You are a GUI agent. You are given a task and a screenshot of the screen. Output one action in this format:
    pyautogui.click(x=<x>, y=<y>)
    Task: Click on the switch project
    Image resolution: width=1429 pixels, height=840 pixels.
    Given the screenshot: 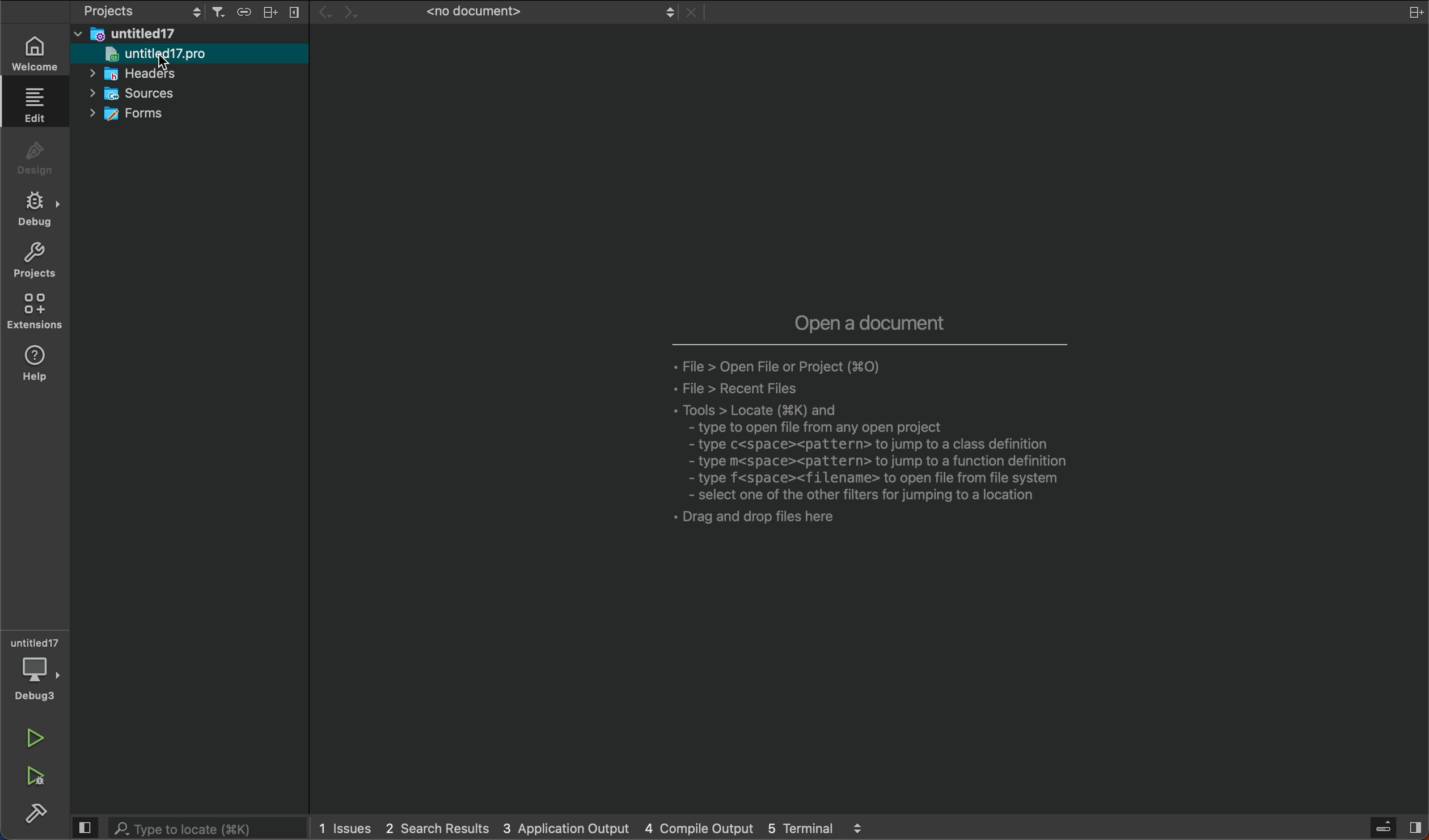 What is the action you would take?
    pyautogui.click(x=137, y=12)
    